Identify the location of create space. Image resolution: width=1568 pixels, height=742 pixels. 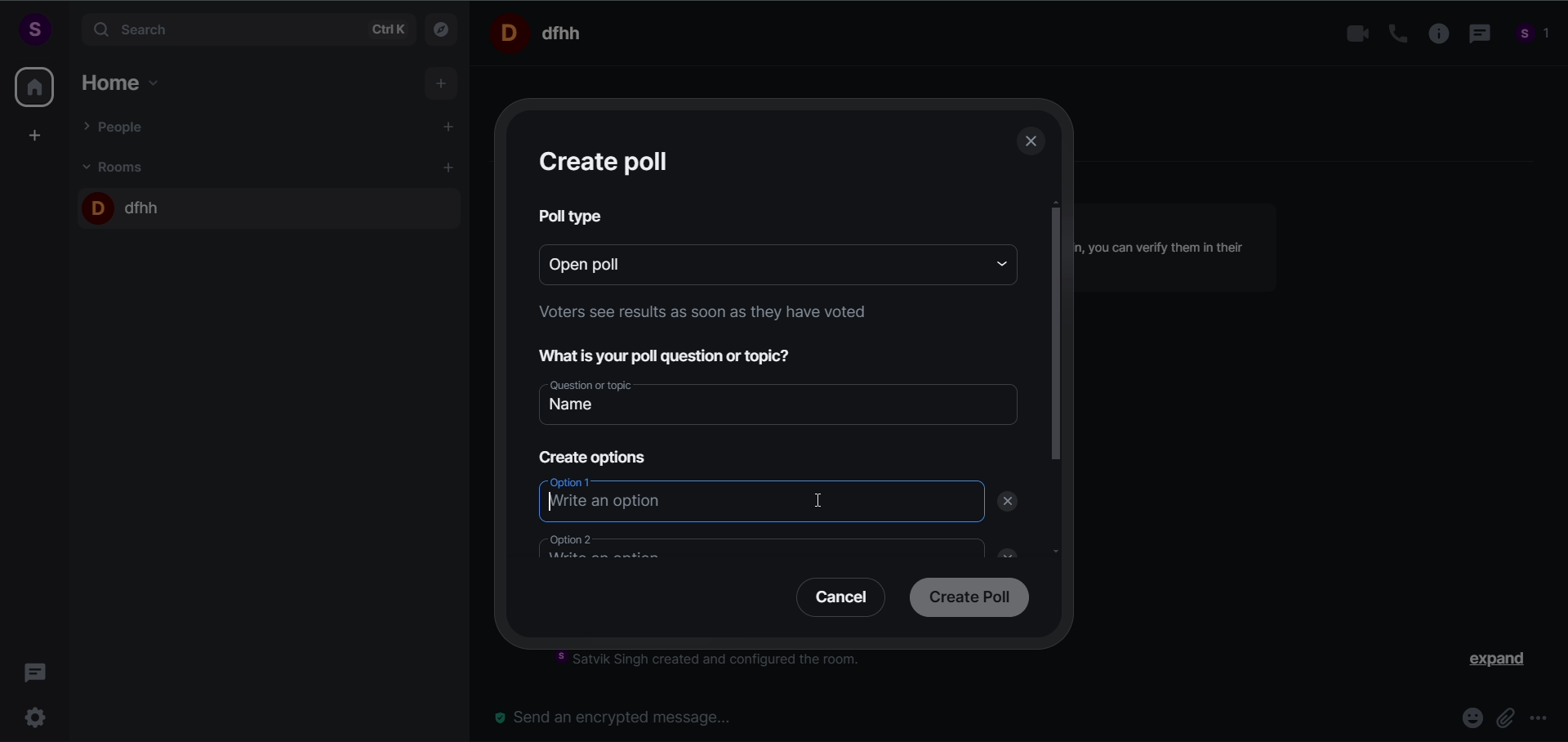
(35, 135).